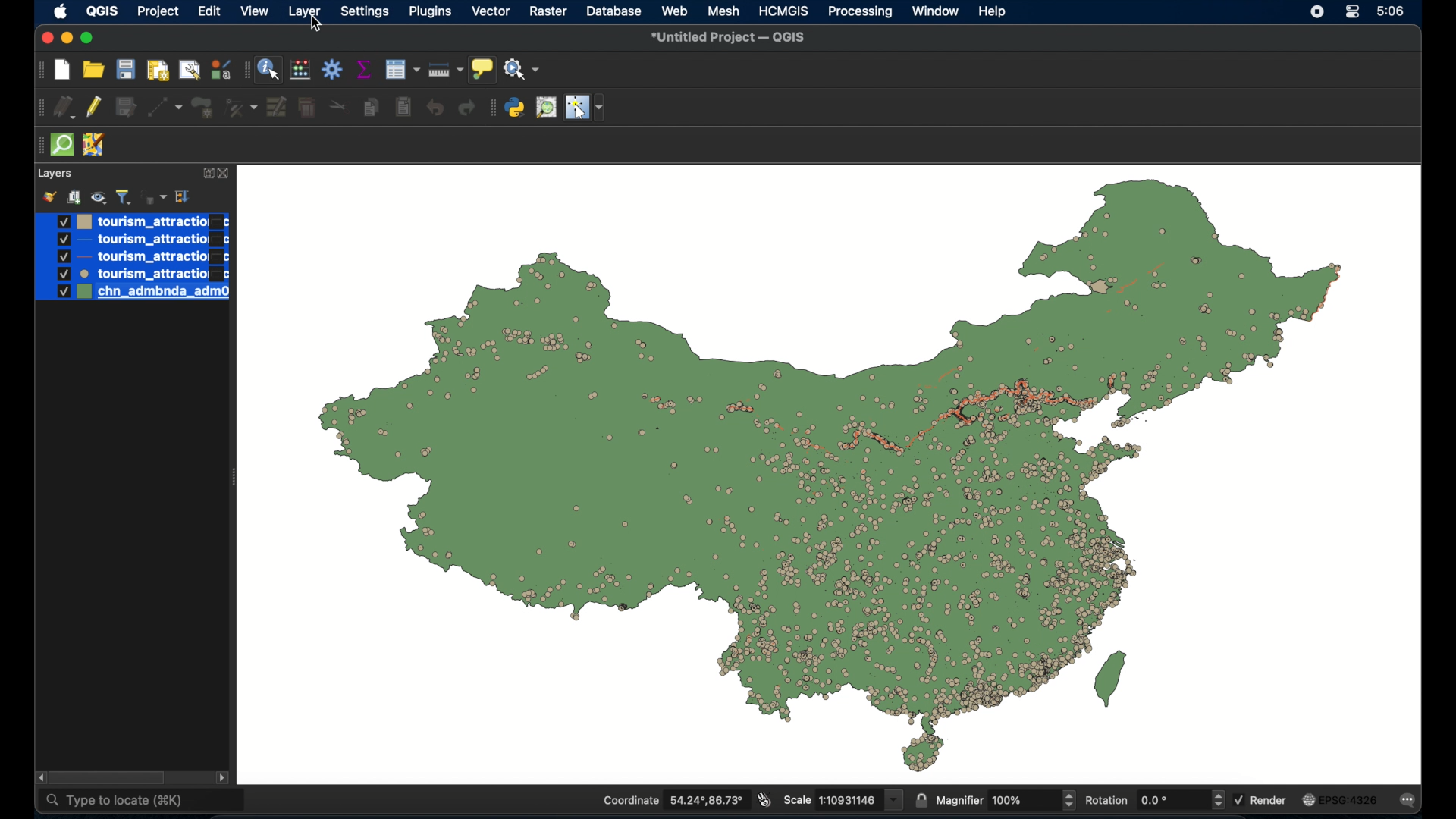  Describe the element at coordinates (205, 108) in the screenshot. I see `add polygon feature` at that location.